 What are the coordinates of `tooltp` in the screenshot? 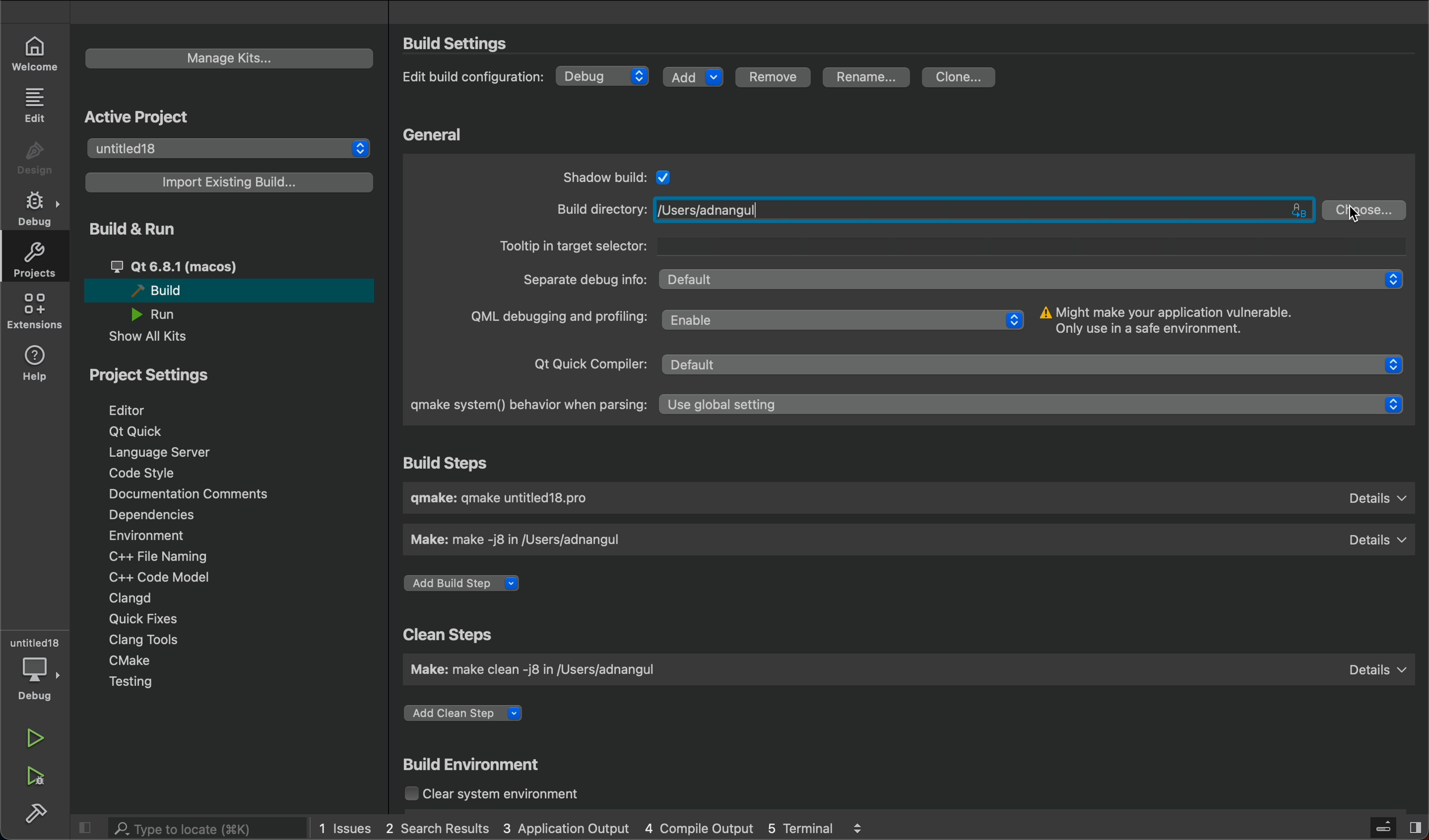 It's located at (950, 245).